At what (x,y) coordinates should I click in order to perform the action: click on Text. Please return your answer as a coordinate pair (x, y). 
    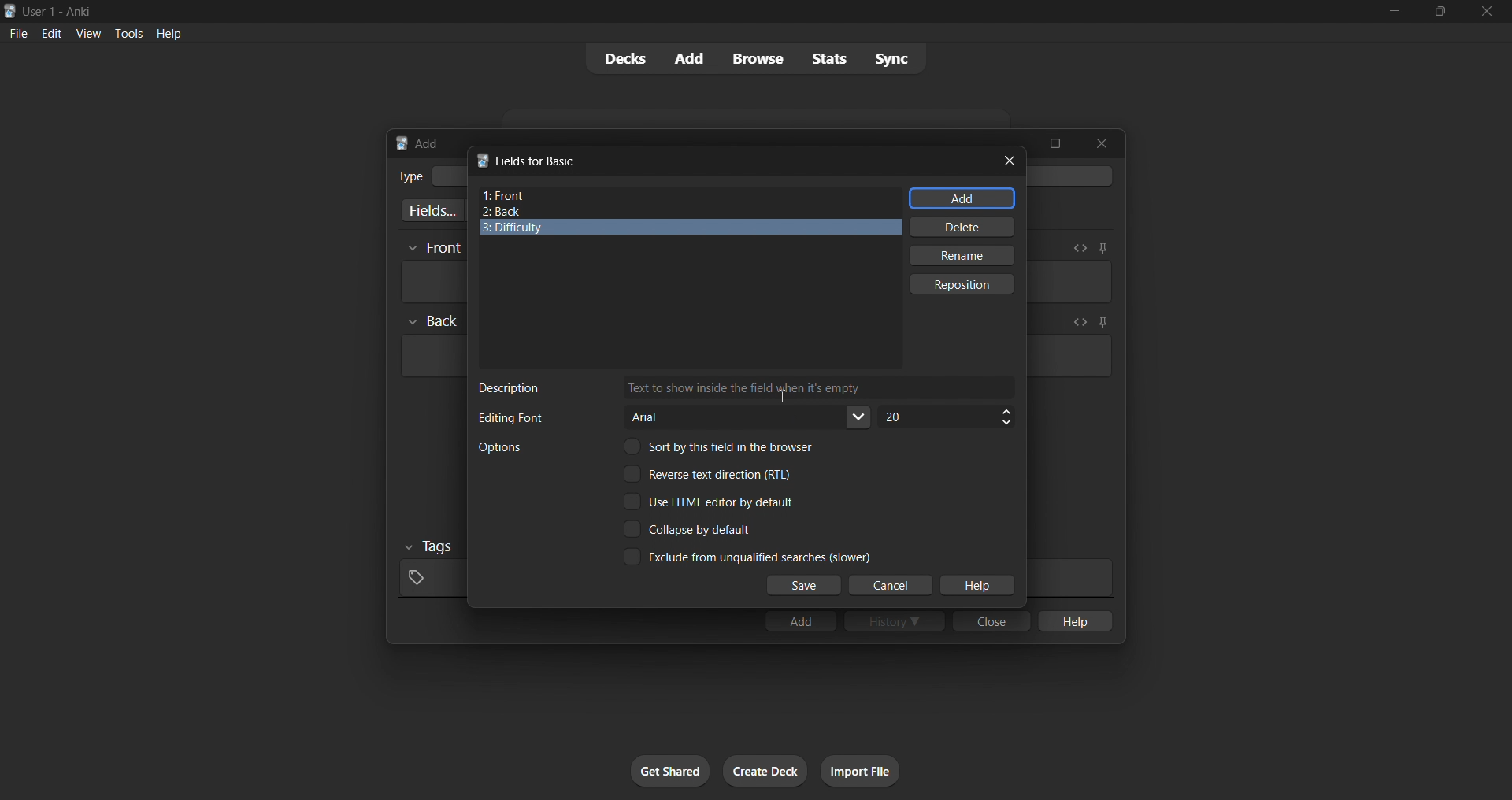
    Looking at the image, I should click on (510, 418).